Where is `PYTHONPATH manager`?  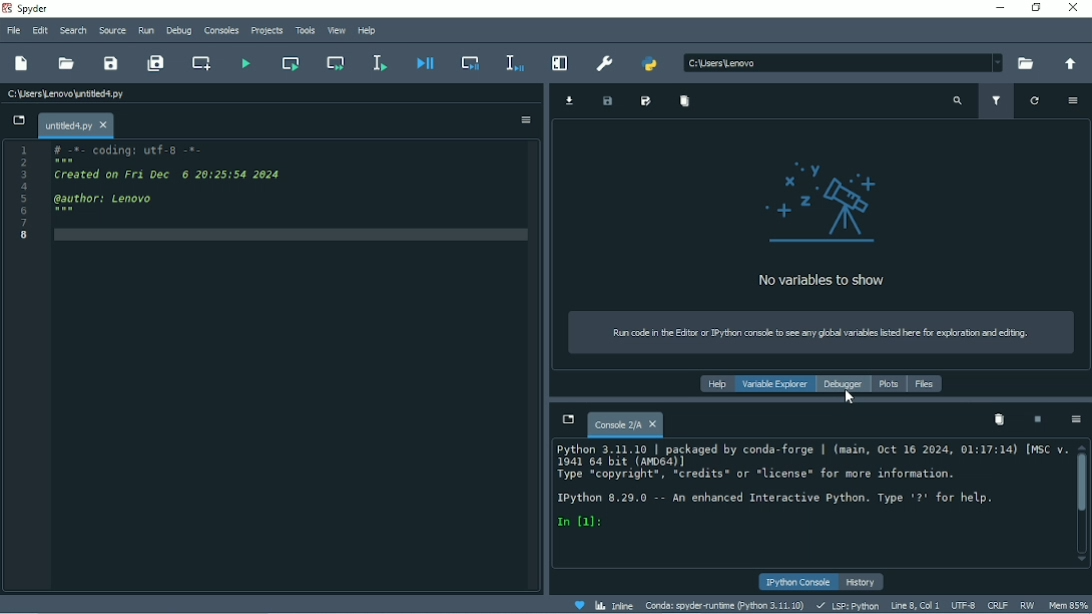
PYTHONPATH manager is located at coordinates (651, 62).